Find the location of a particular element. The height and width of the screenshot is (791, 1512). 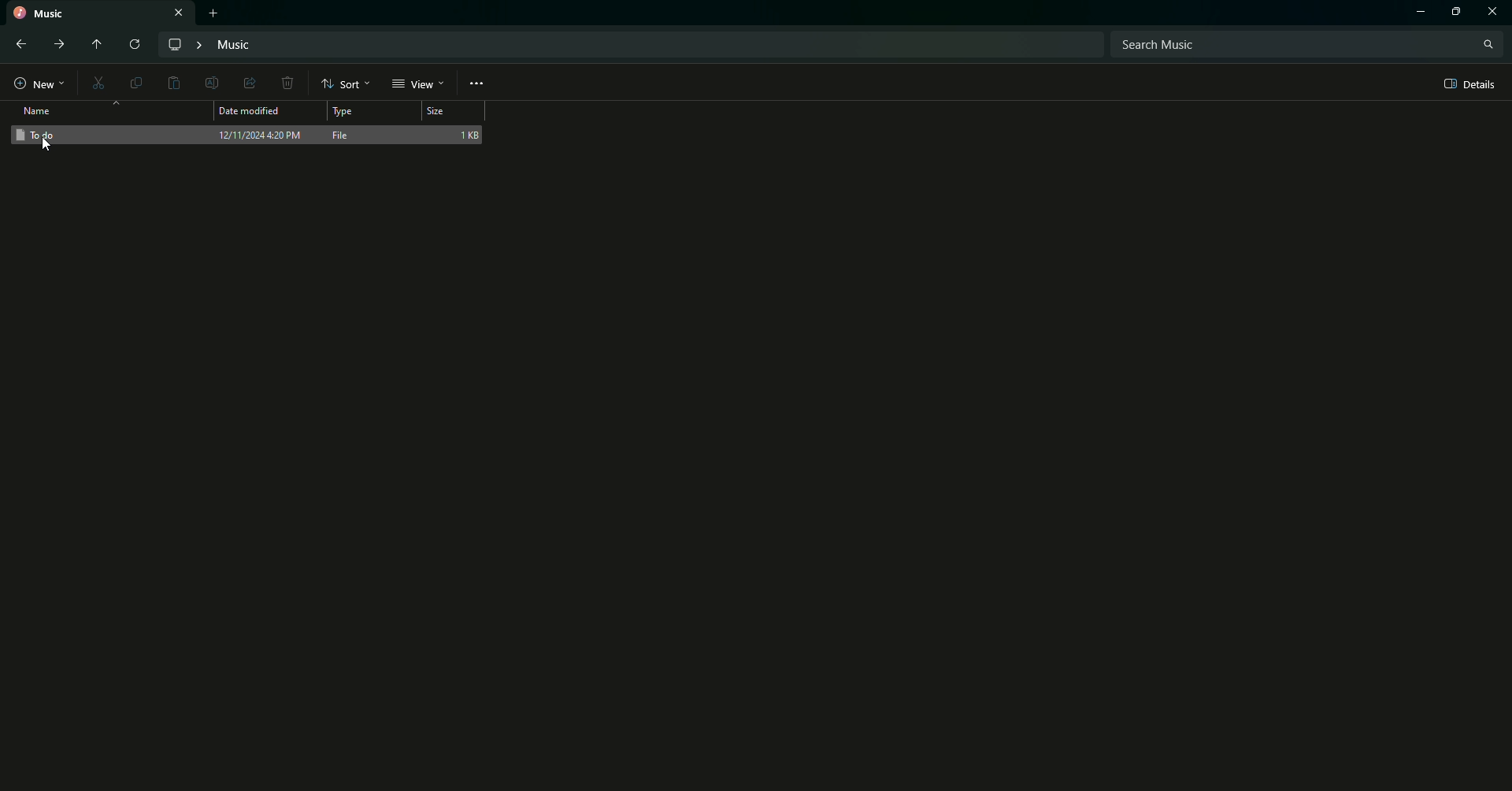

1 KB is located at coordinates (470, 136).